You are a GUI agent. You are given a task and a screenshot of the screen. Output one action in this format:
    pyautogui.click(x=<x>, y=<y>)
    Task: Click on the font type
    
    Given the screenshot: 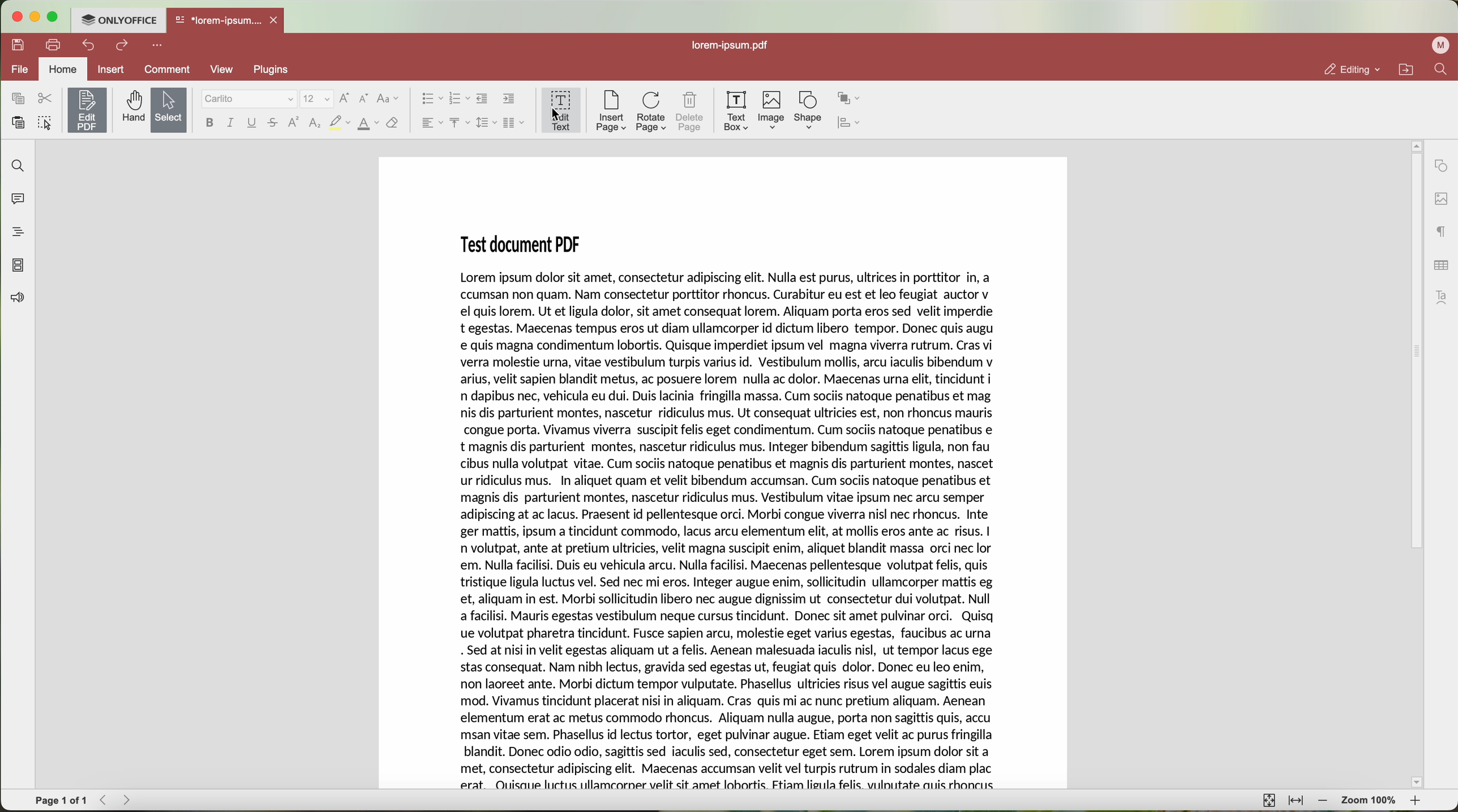 What is the action you would take?
    pyautogui.click(x=248, y=99)
    